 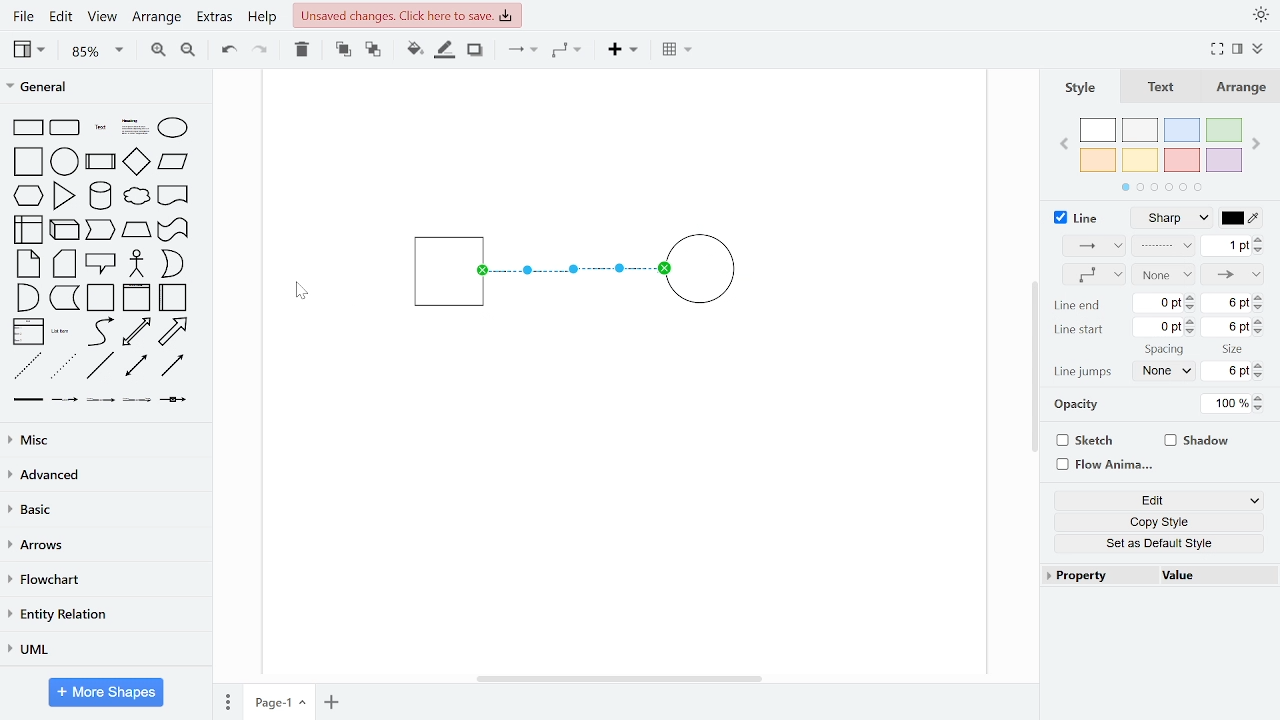 I want to click on fill color, so click(x=415, y=50).